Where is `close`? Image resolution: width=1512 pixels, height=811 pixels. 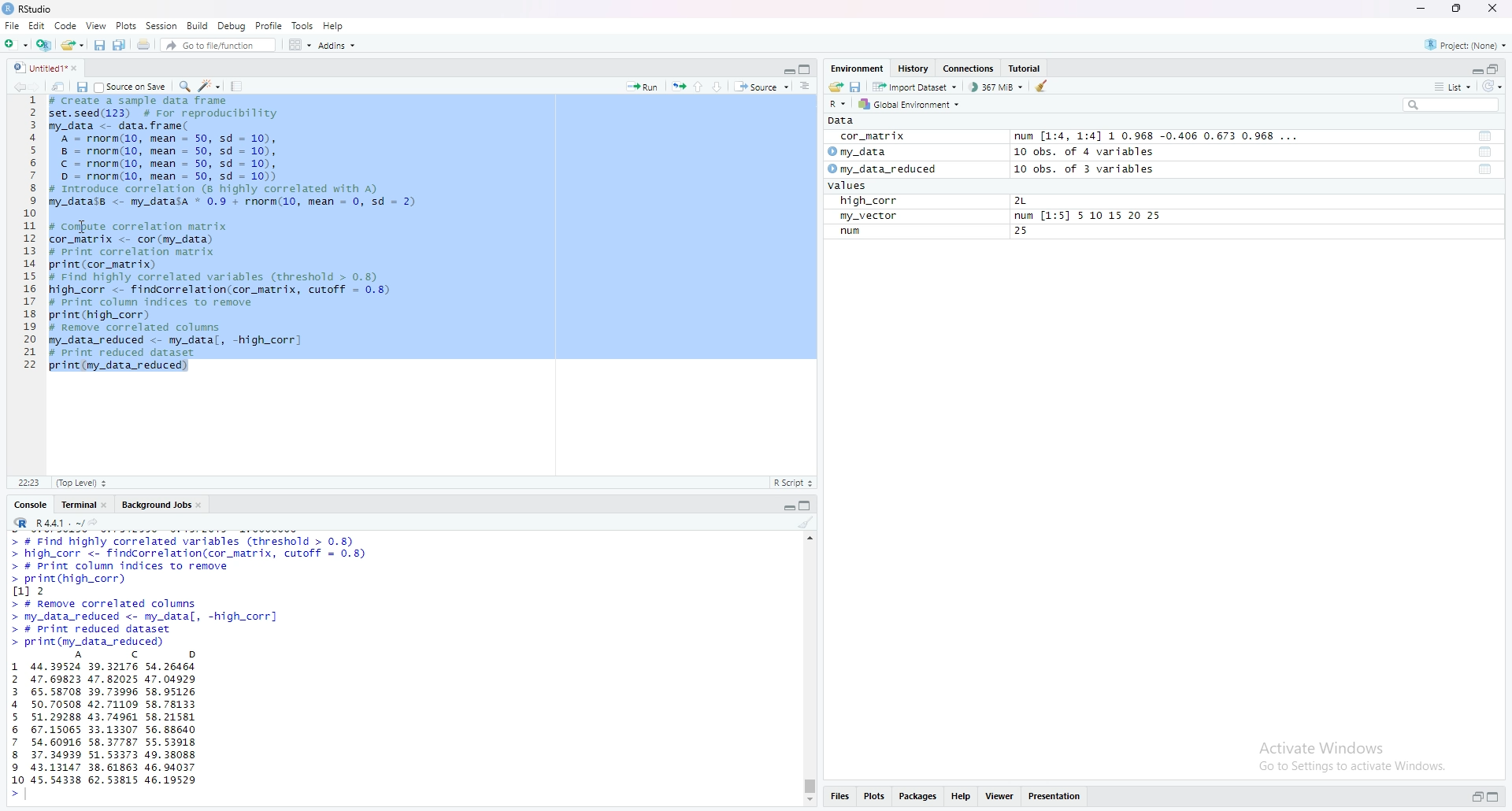
close is located at coordinates (76, 69).